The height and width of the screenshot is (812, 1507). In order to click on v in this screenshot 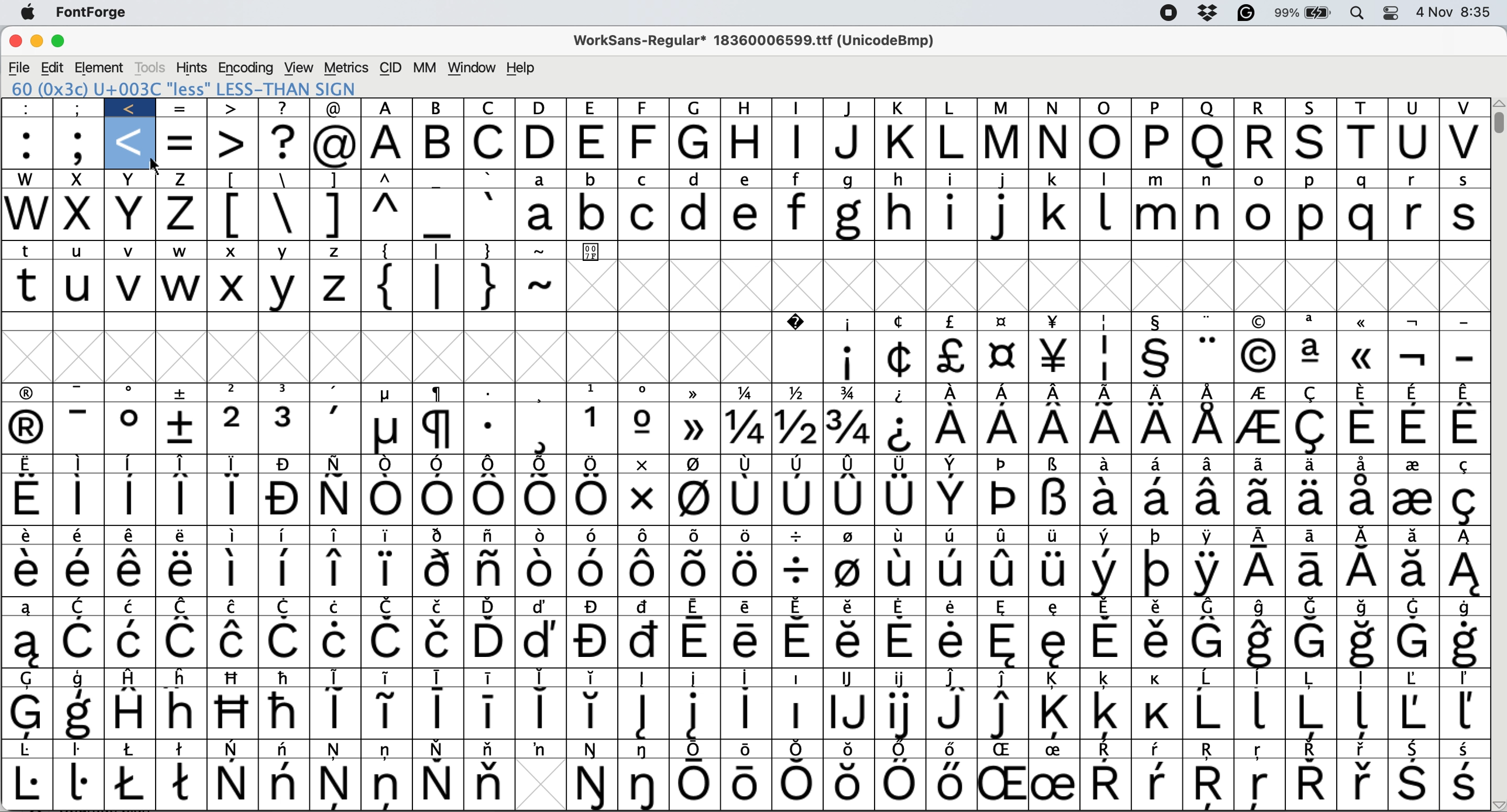, I will do `click(1462, 108)`.